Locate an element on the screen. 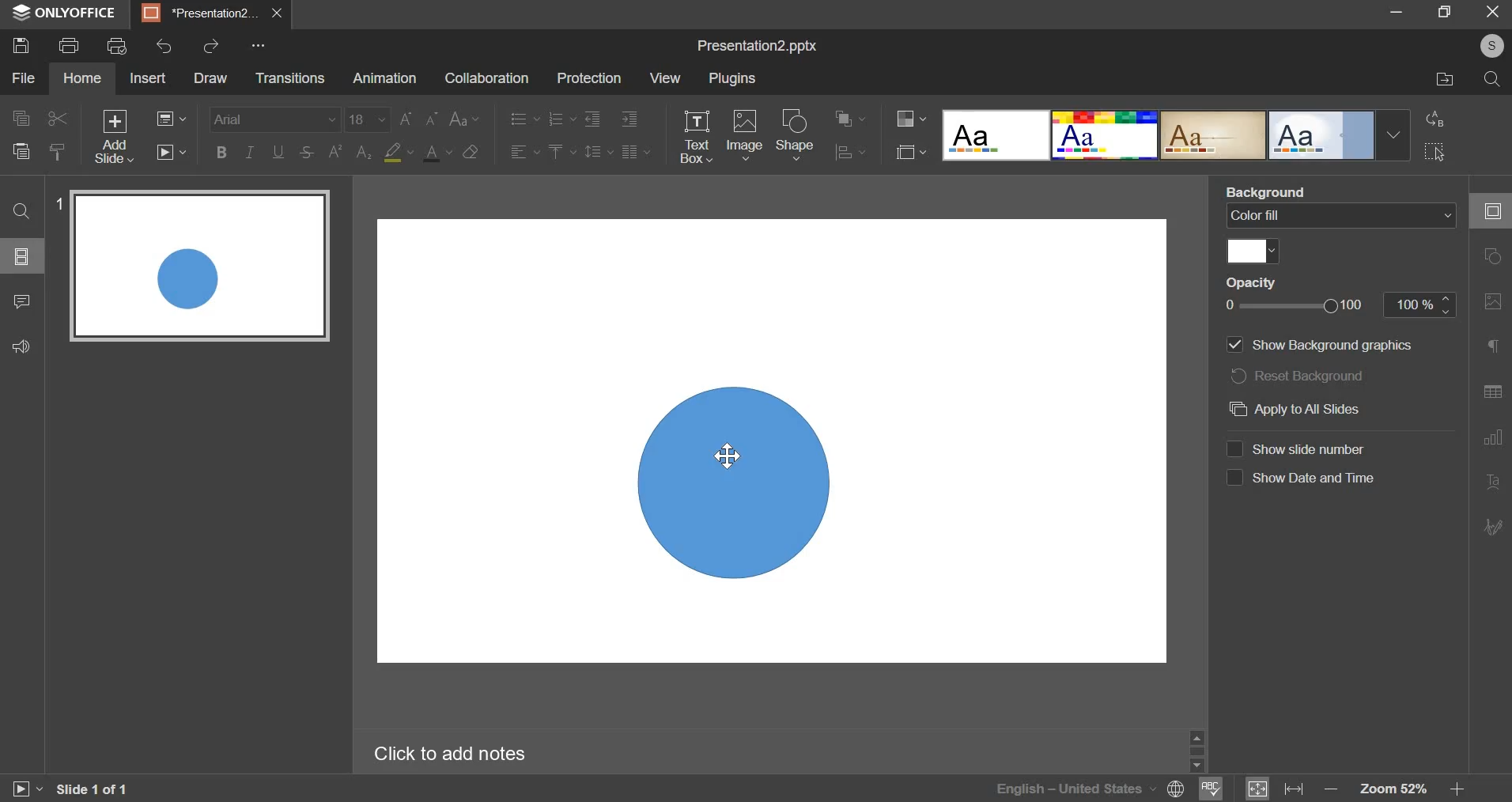 This screenshot has width=1512, height=802. maximize is located at coordinates (1449, 12).